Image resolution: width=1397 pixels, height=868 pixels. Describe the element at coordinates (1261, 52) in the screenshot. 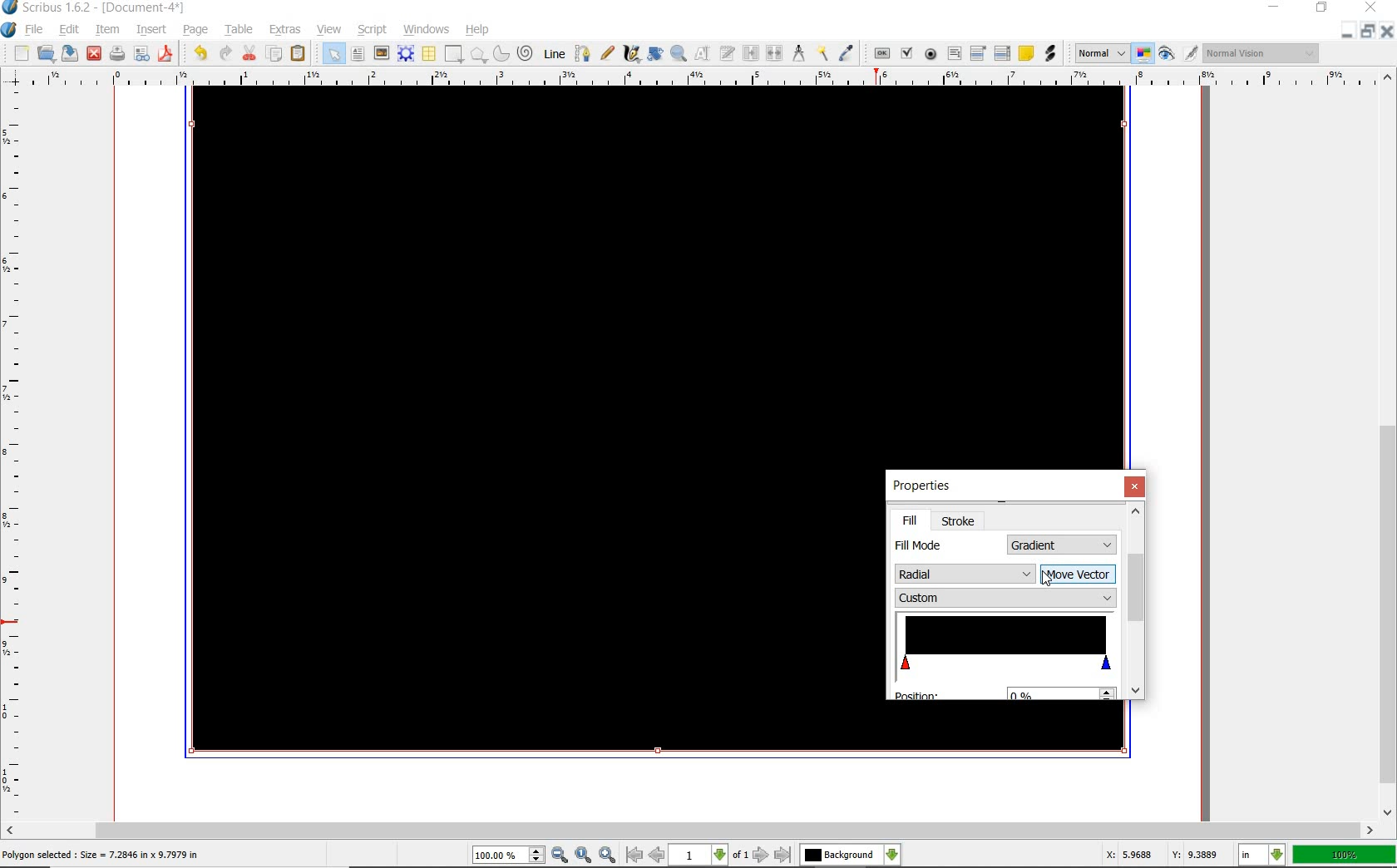

I see `Normal Vision` at that location.